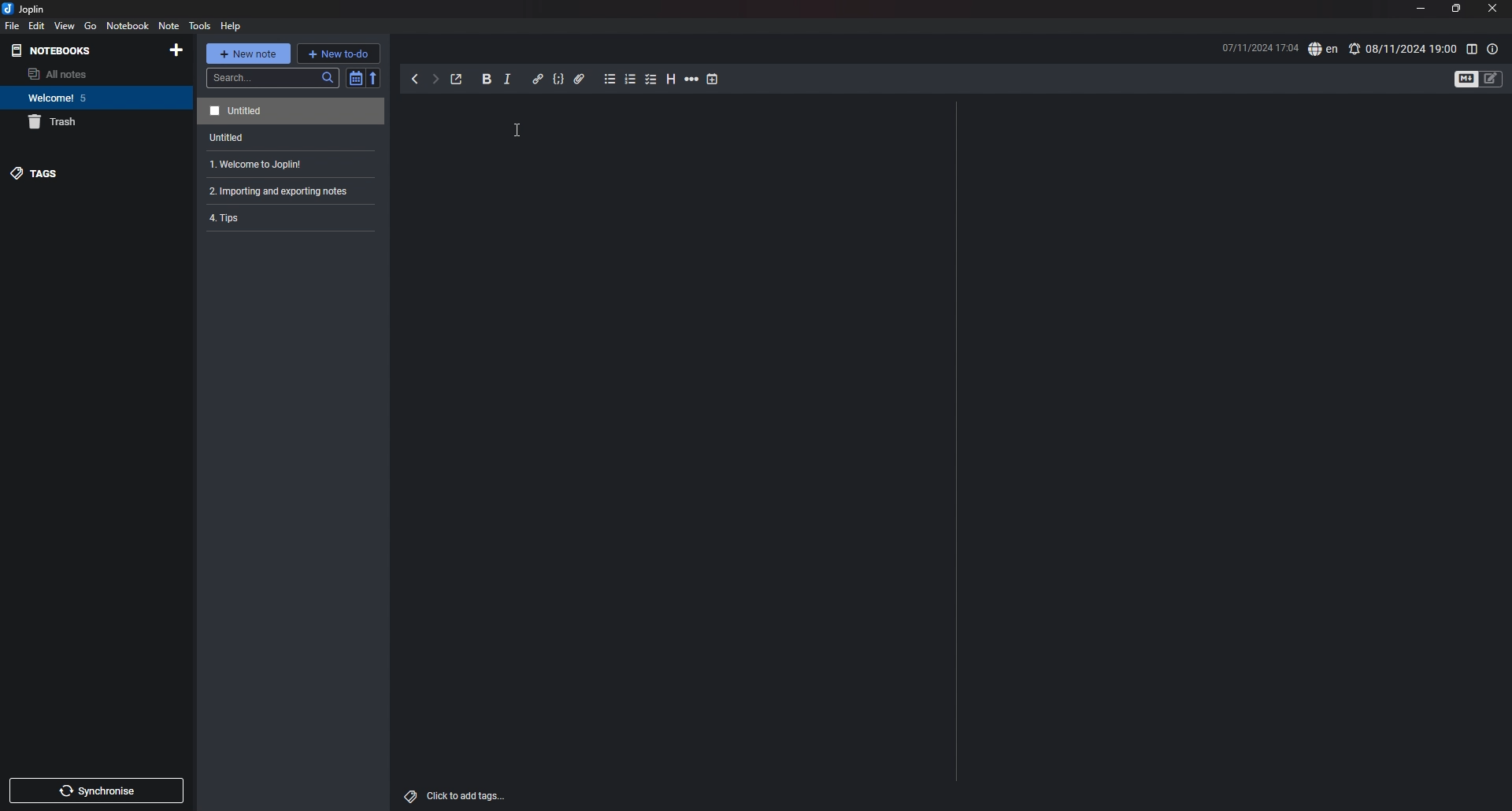 This screenshot has height=811, width=1512. I want to click on note, so click(294, 111).